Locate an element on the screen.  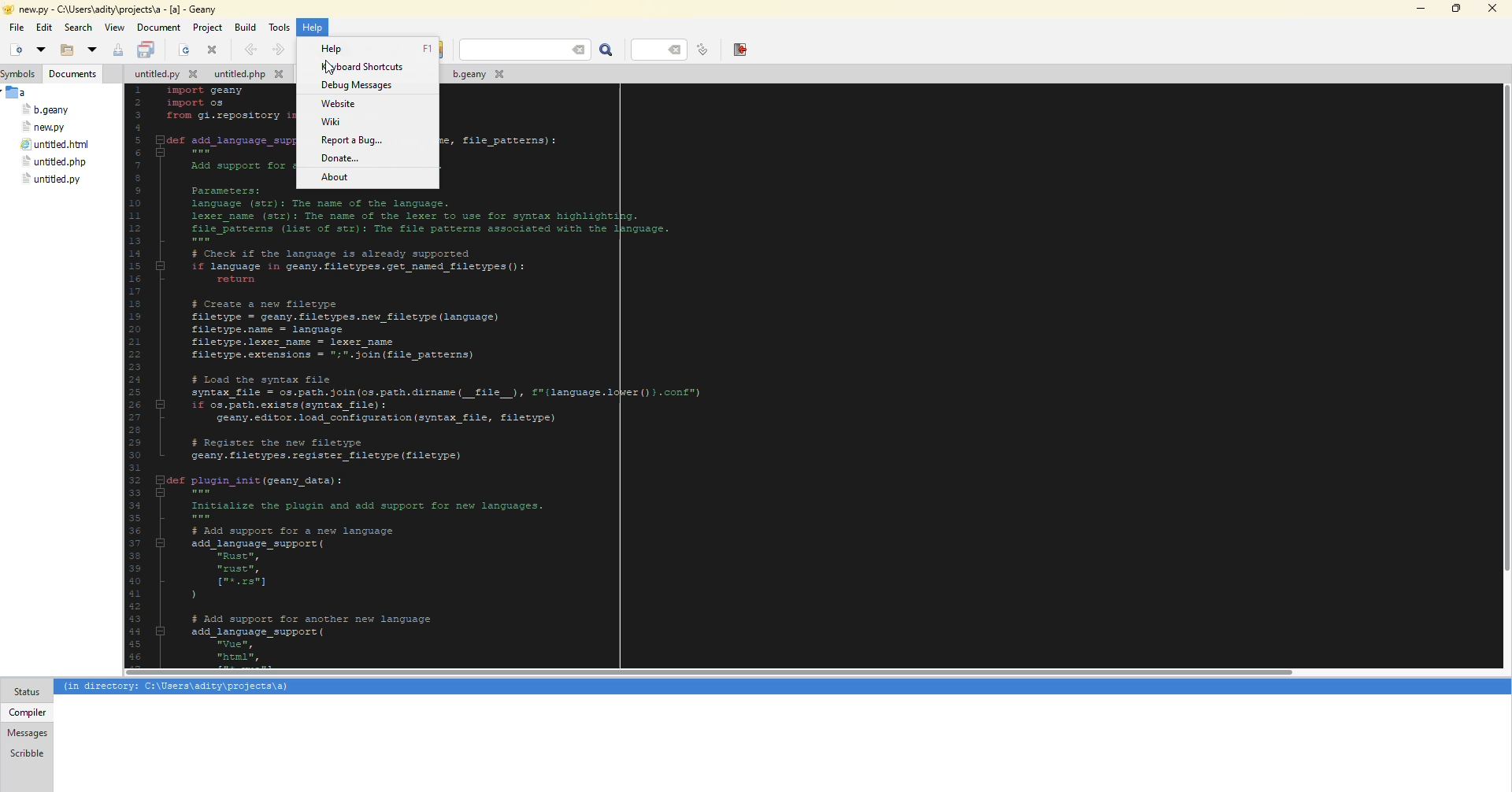
maximize is located at coordinates (1454, 9).